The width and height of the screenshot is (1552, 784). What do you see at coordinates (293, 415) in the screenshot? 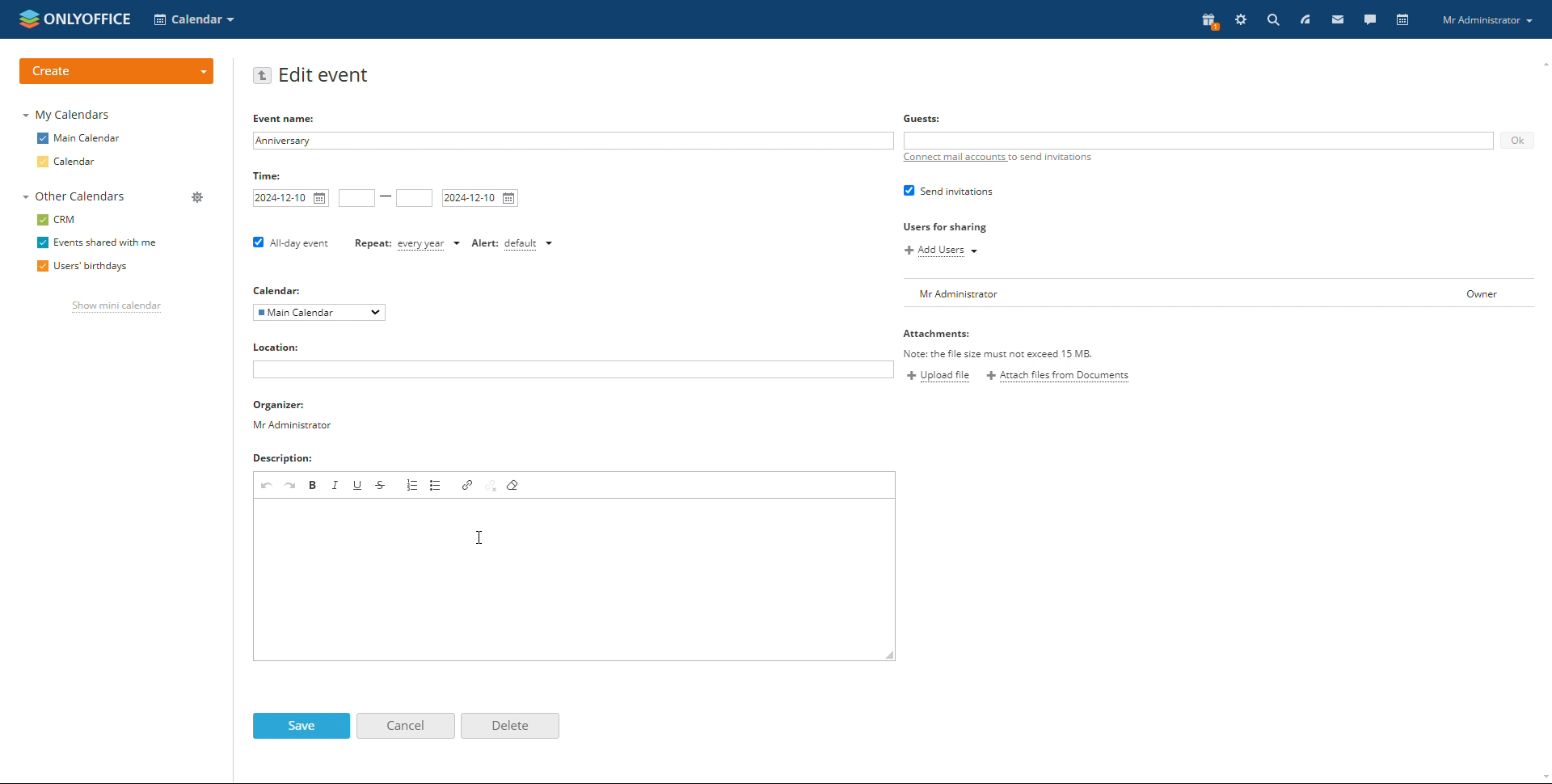
I see `organizer` at bounding box center [293, 415].